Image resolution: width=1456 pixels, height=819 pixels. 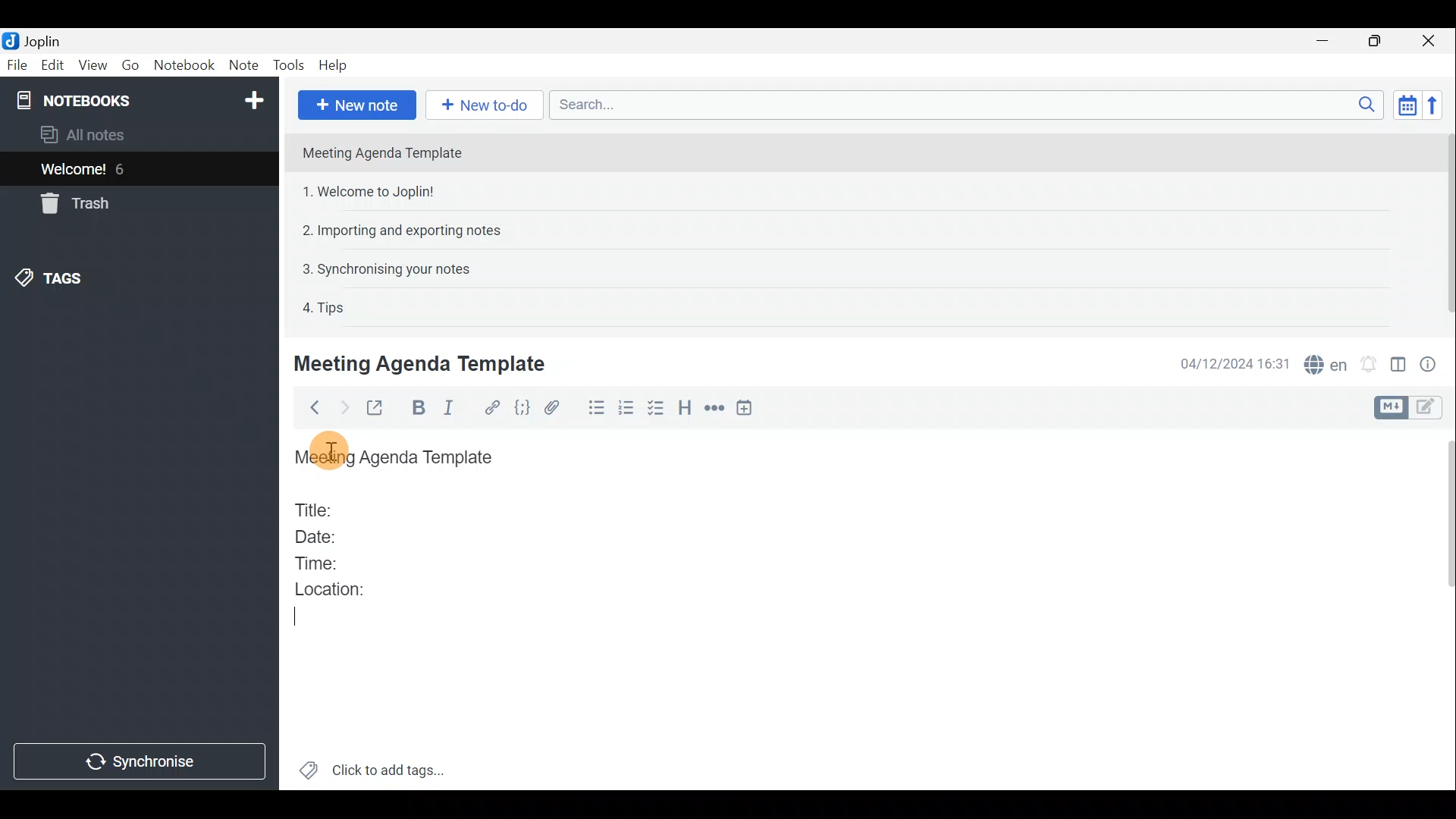 What do you see at coordinates (1435, 105) in the screenshot?
I see `Reverse sort order` at bounding box center [1435, 105].